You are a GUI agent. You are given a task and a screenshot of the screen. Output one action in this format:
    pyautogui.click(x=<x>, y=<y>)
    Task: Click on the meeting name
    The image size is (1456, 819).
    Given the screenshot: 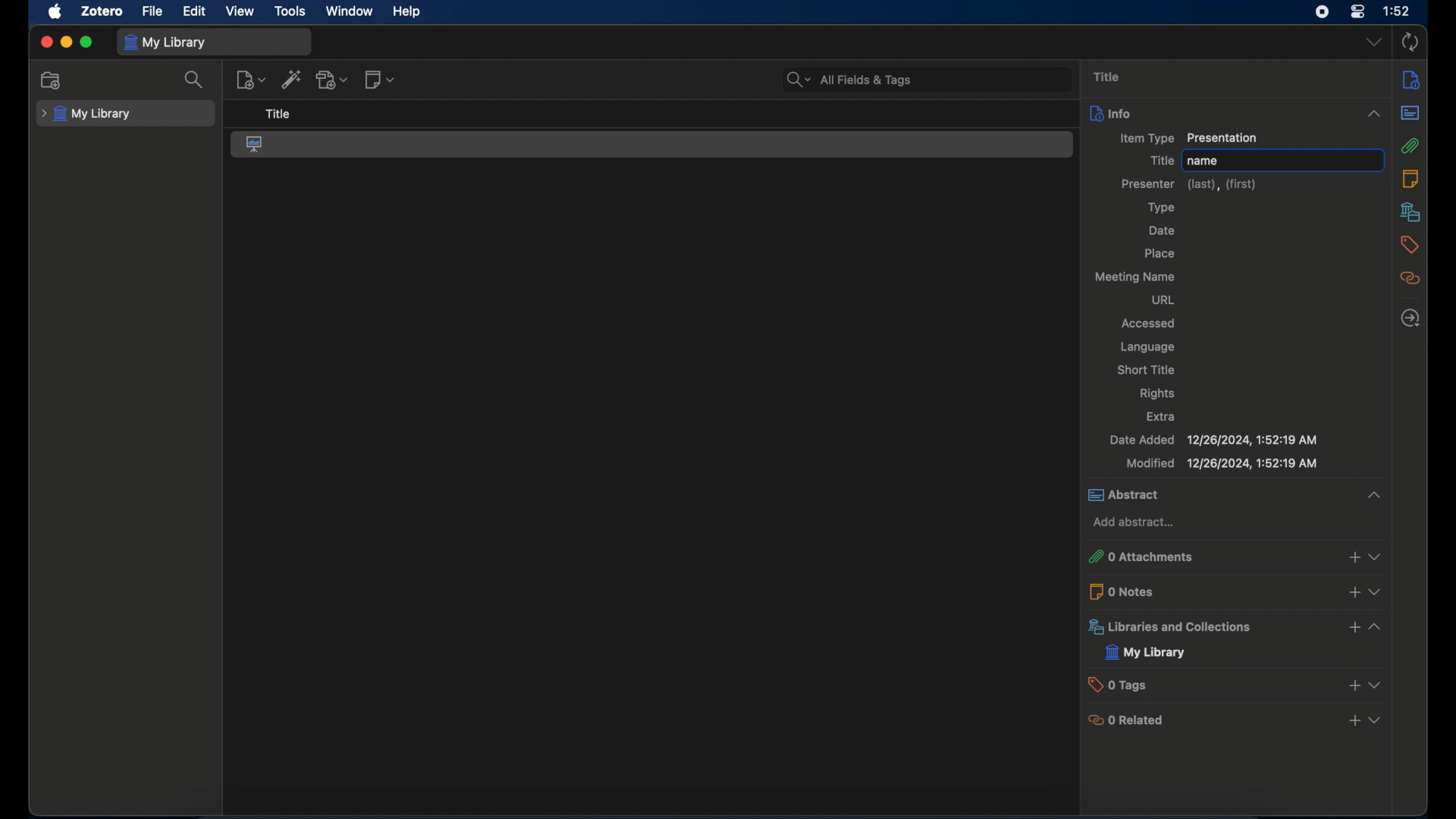 What is the action you would take?
    pyautogui.click(x=1137, y=277)
    